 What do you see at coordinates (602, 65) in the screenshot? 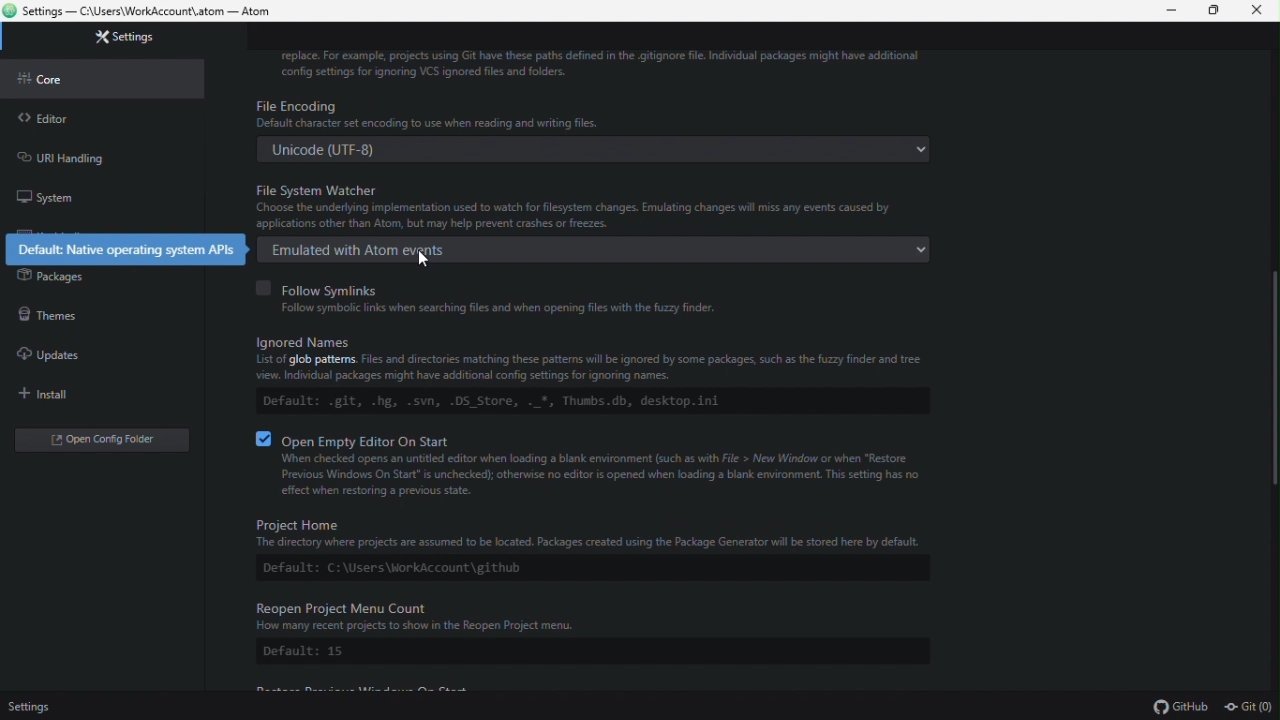
I see `replace. For example, projects using GIT have these paths defined in the .gitignore file. Individual packages might have additional config settings for ignoring VCS ignored files and folders` at bounding box center [602, 65].